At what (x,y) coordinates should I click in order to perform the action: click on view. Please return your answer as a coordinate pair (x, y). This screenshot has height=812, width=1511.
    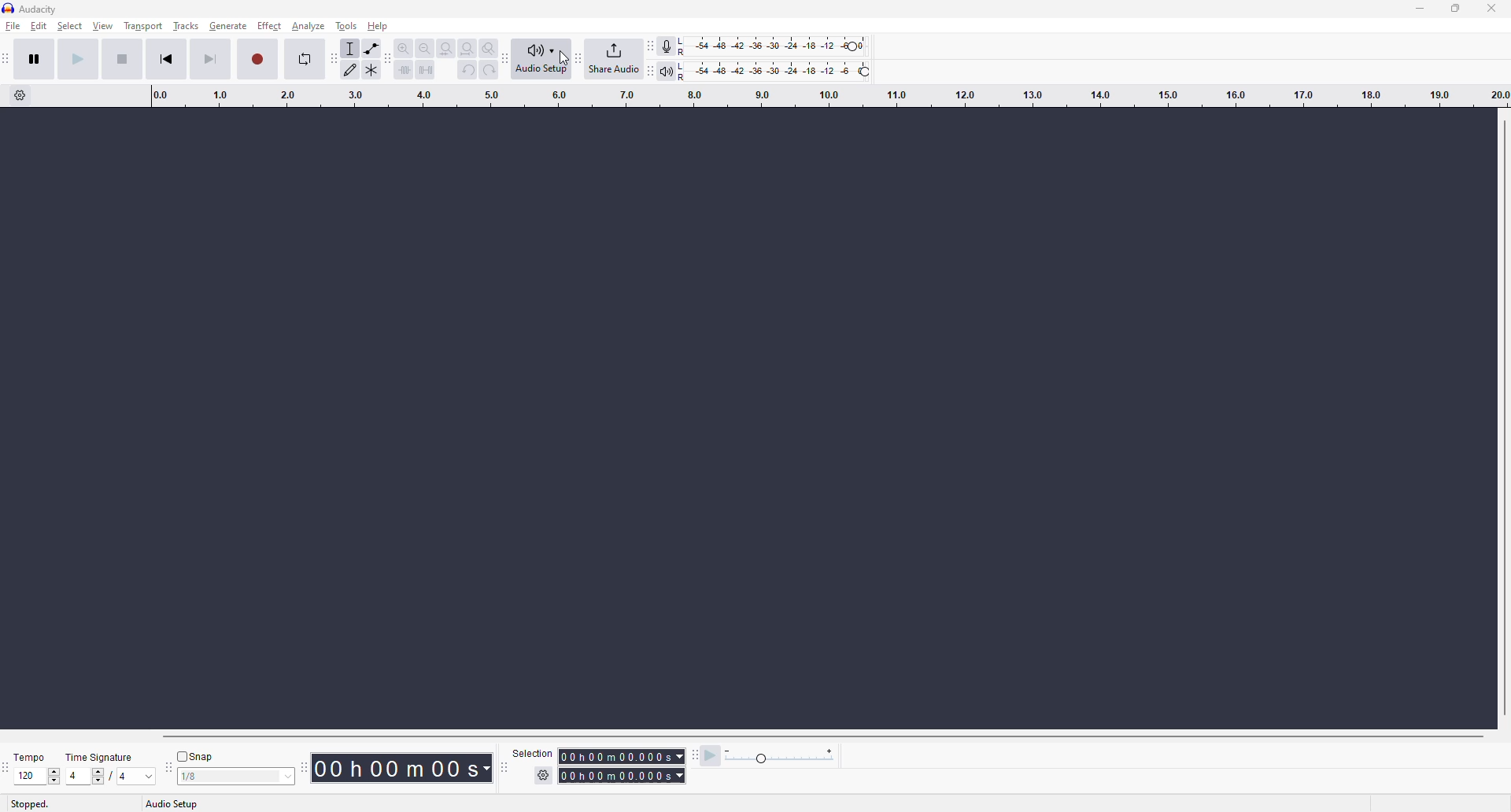
    Looking at the image, I should click on (99, 25).